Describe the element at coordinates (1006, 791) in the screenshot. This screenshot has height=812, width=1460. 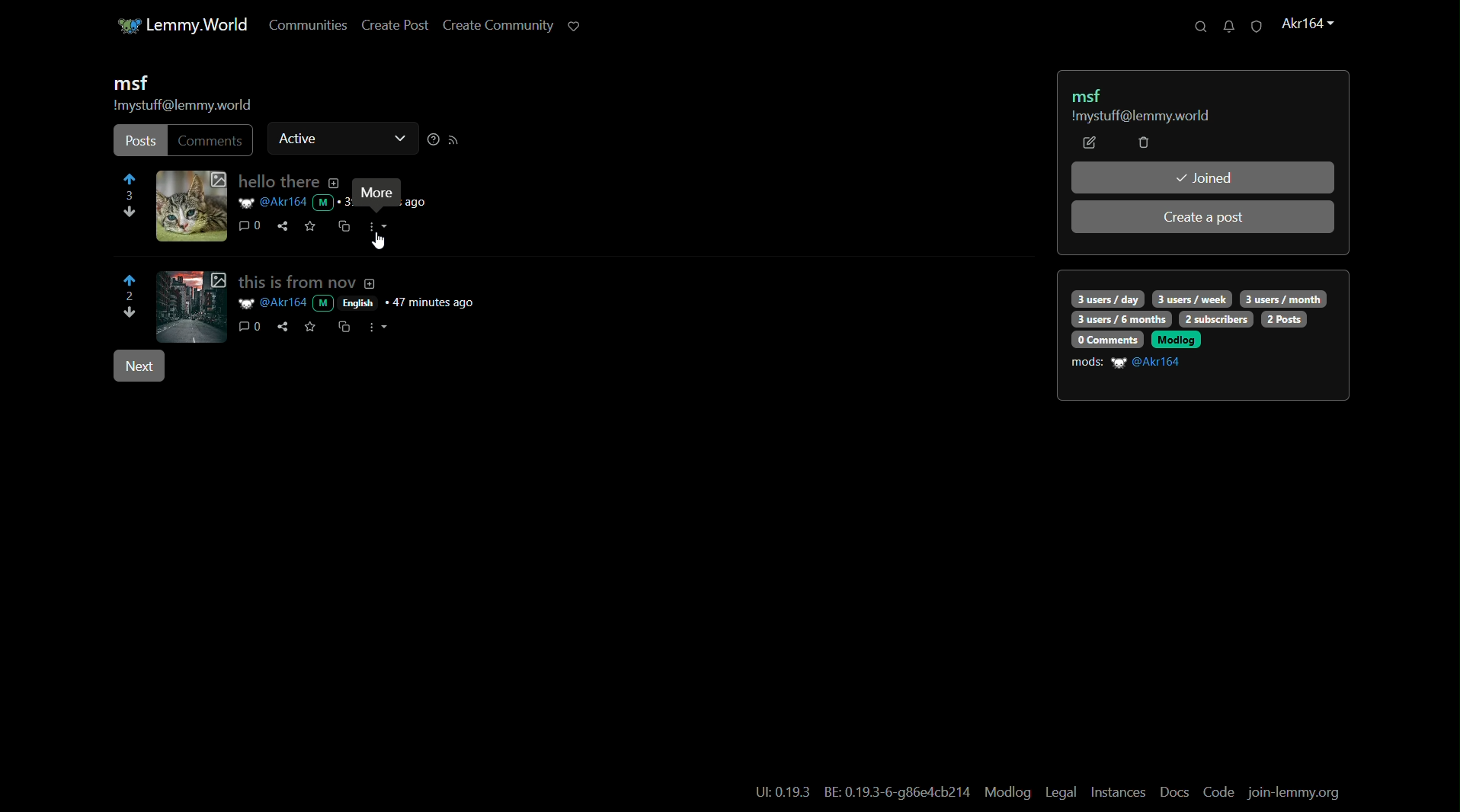
I see `modlog` at that location.